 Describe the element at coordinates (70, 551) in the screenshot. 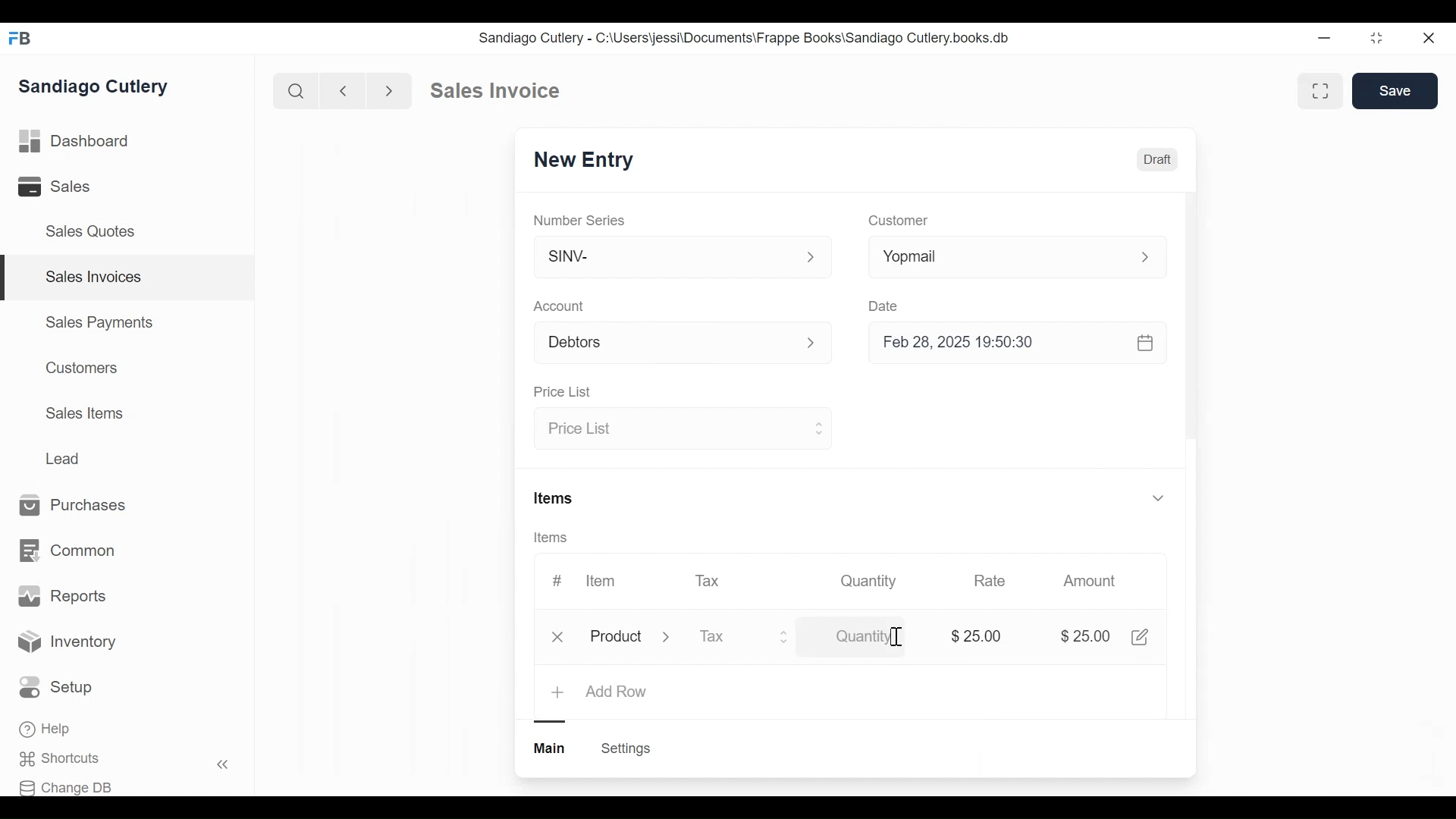

I see `Common` at that location.